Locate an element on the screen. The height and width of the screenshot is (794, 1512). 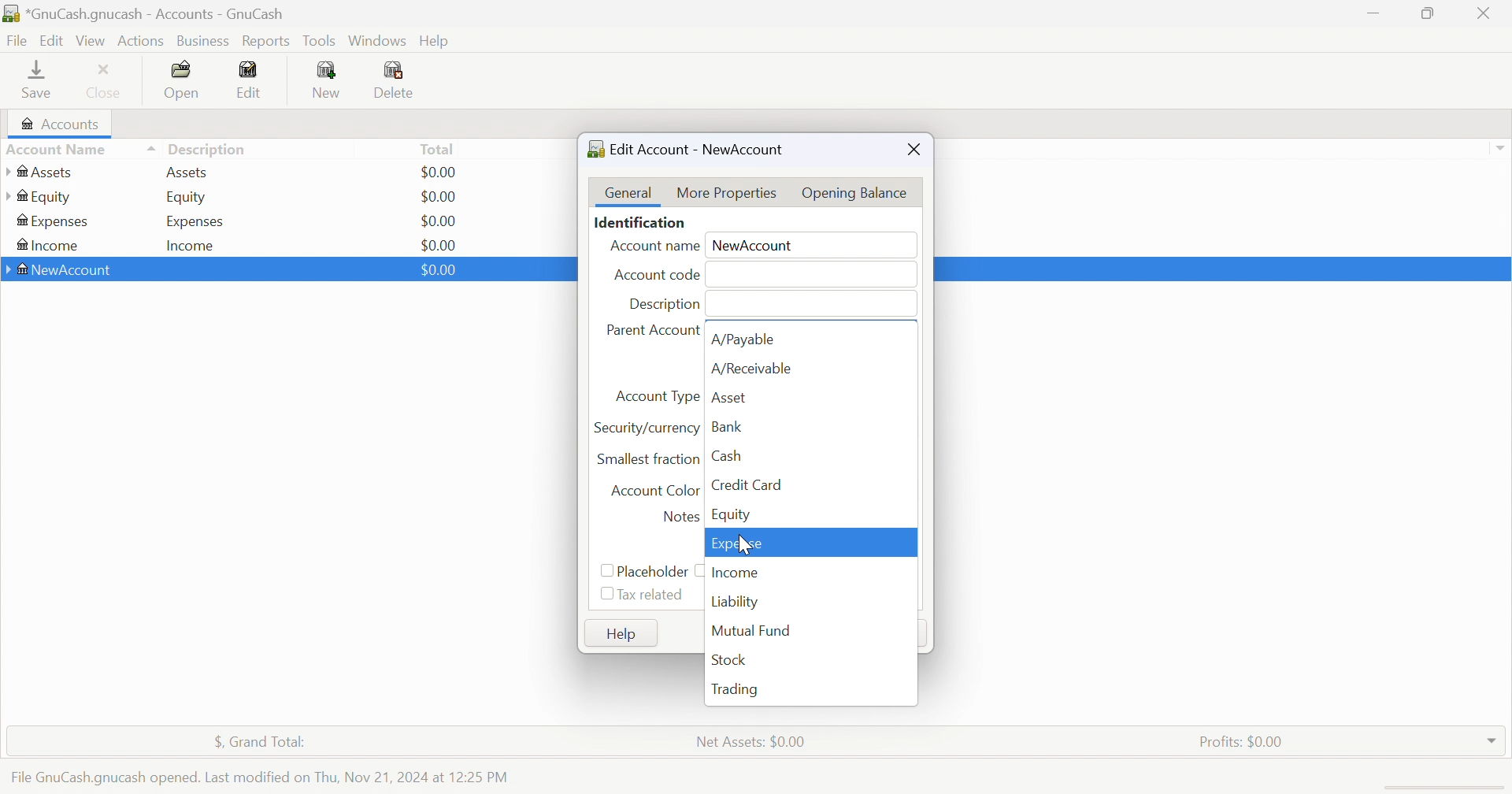
Description is located at coordinates (662, 304).